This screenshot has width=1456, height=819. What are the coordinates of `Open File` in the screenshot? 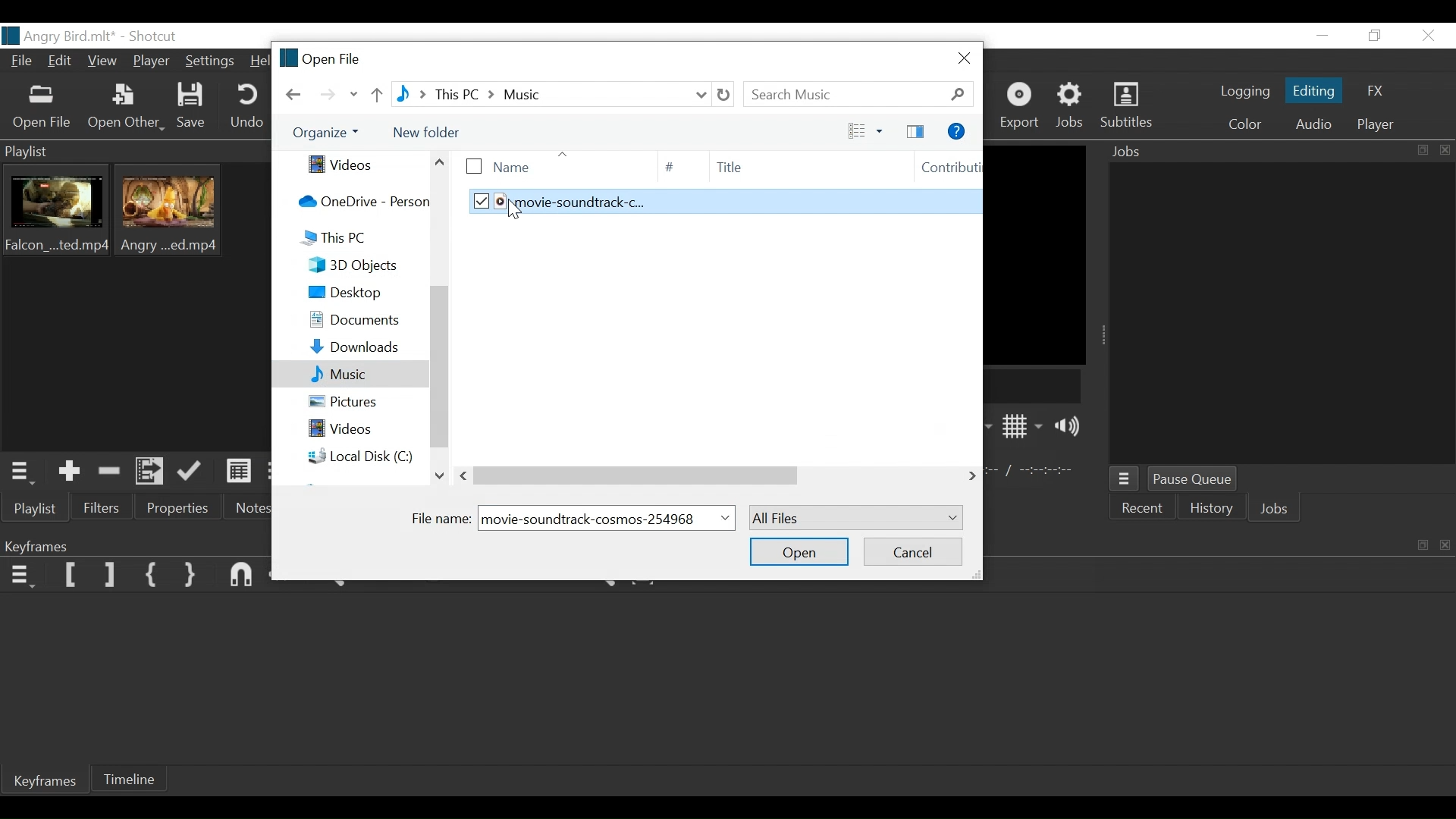 It's located at (318, 58).